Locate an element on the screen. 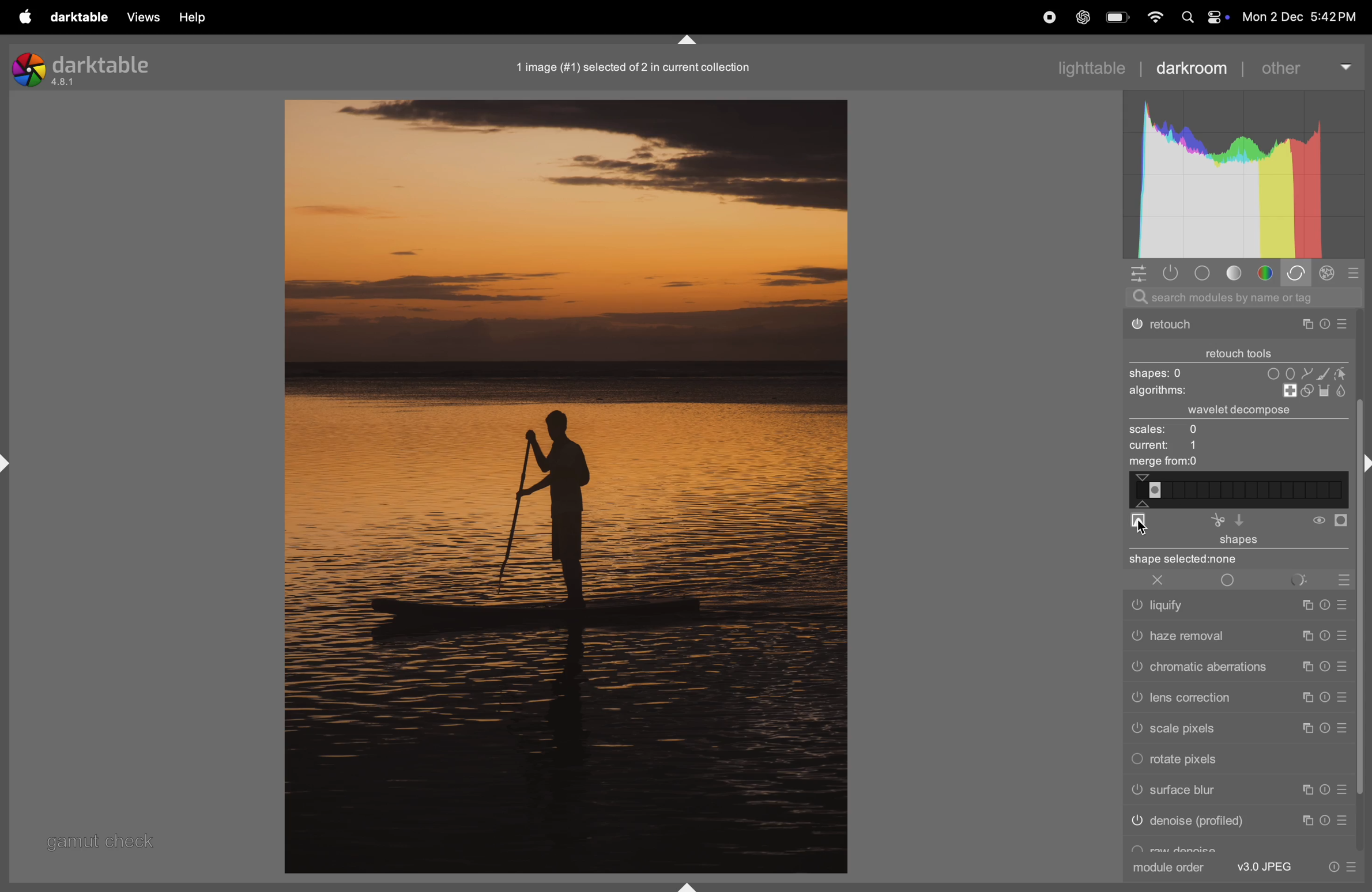 The width and height of the screenshot is (1372, 892). scale is located at coordinates (1238, 490).